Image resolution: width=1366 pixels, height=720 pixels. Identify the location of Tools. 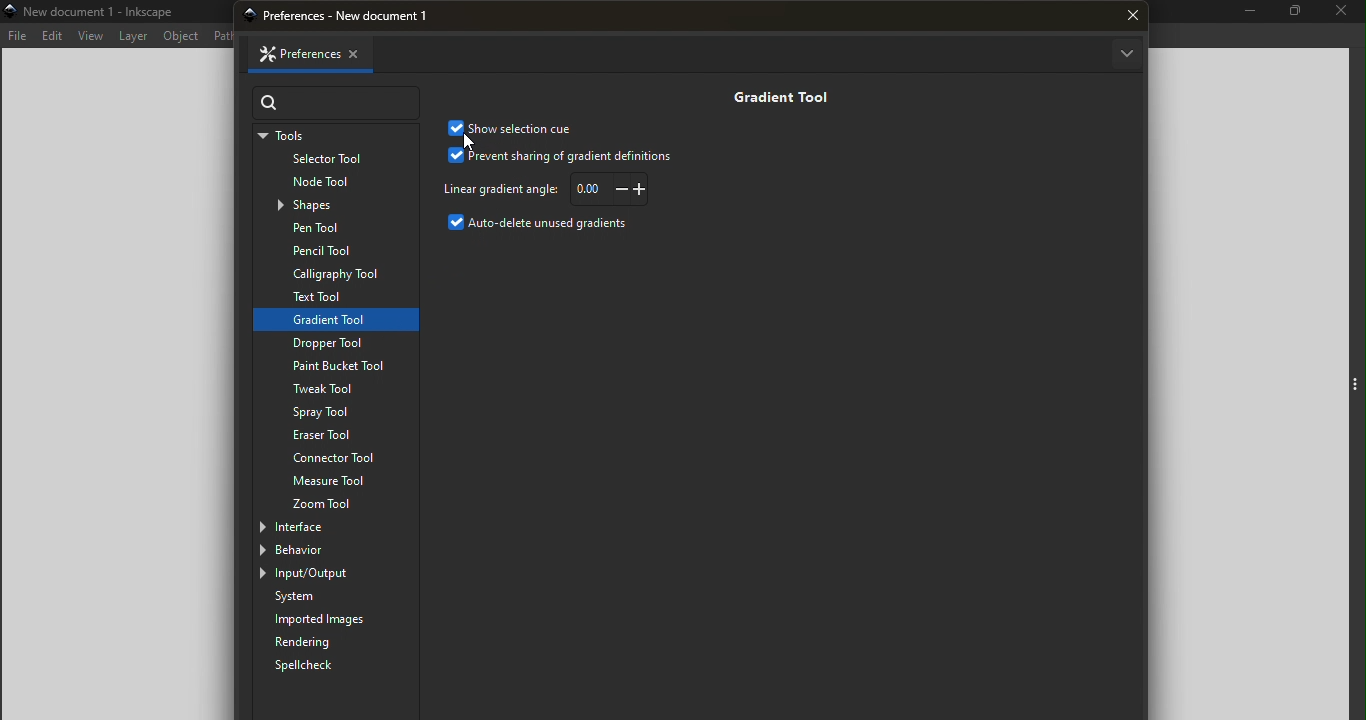
(333, 136).